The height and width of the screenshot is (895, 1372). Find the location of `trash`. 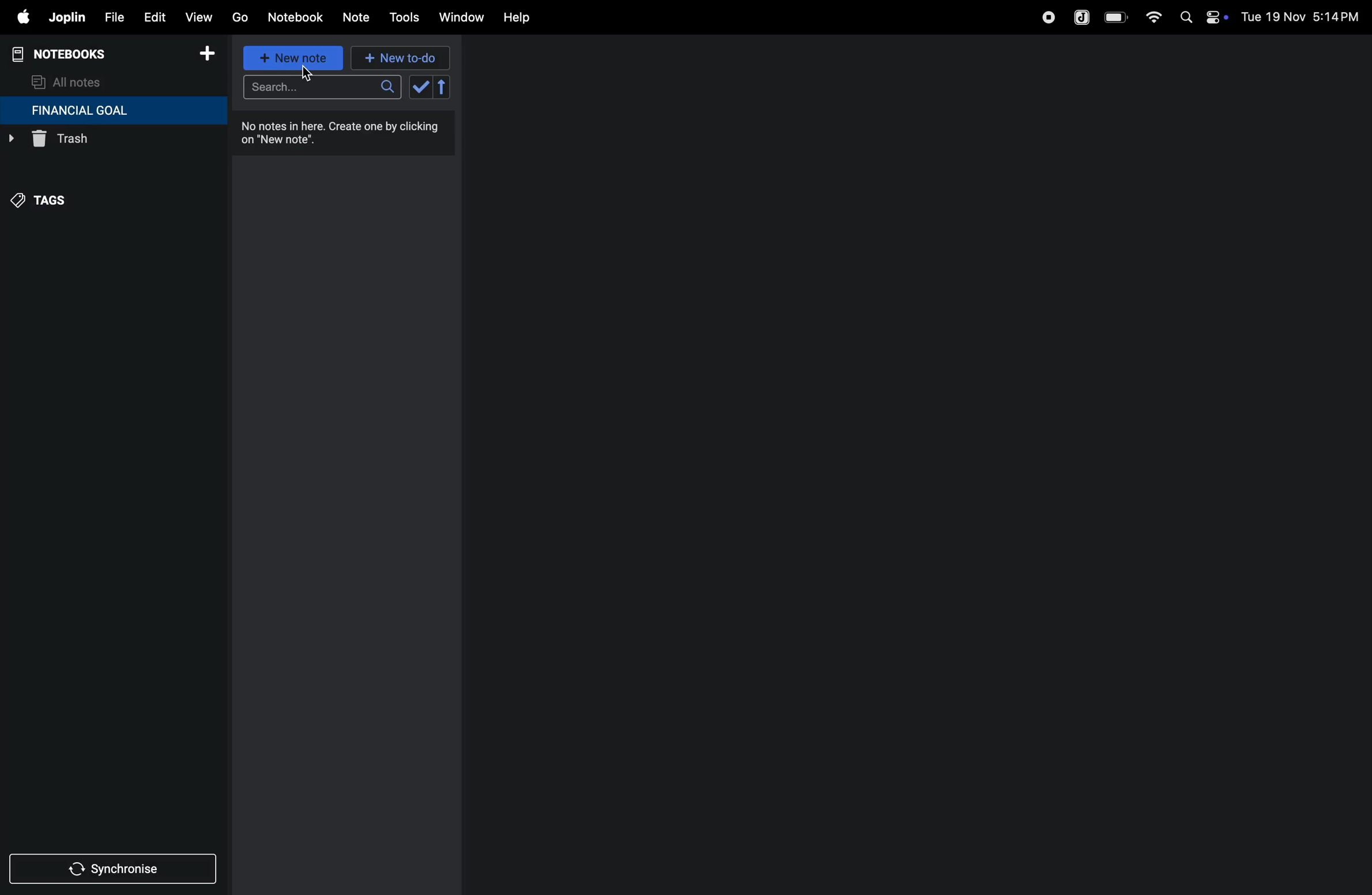

trash is located at coordinates (89, 142).